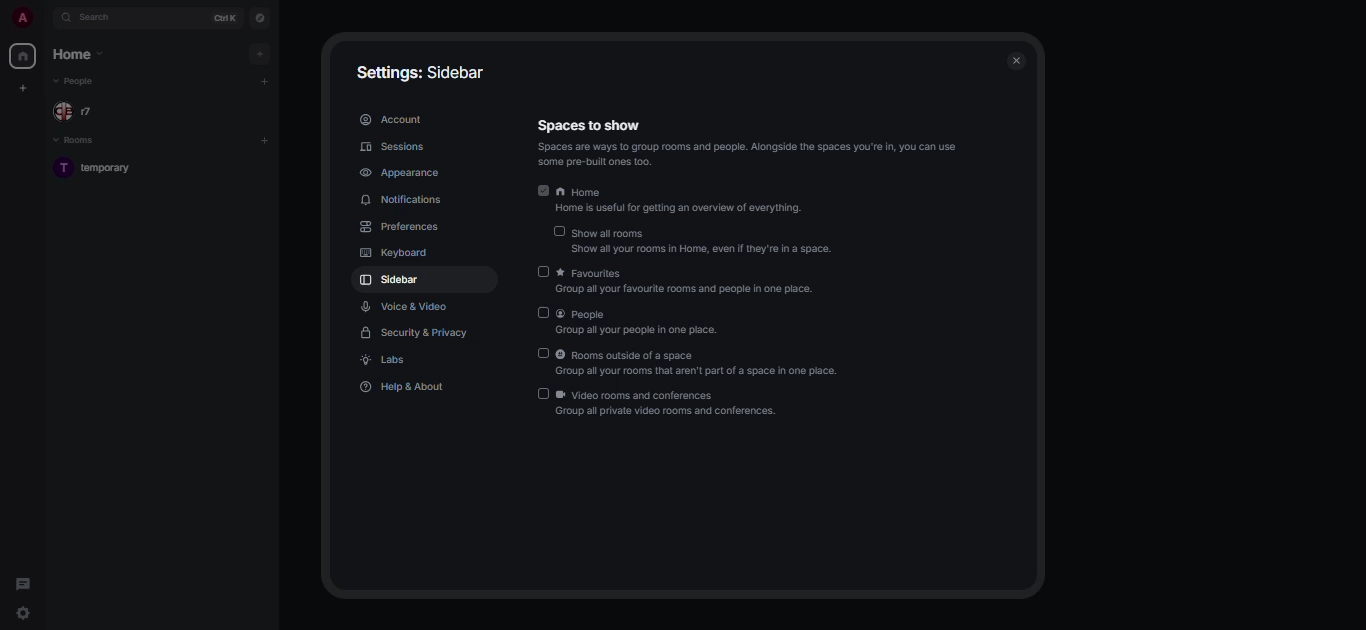  What do you see at coordinates (100, 19) in the screenshot?
I see `search` at bounding box center [100, 19].